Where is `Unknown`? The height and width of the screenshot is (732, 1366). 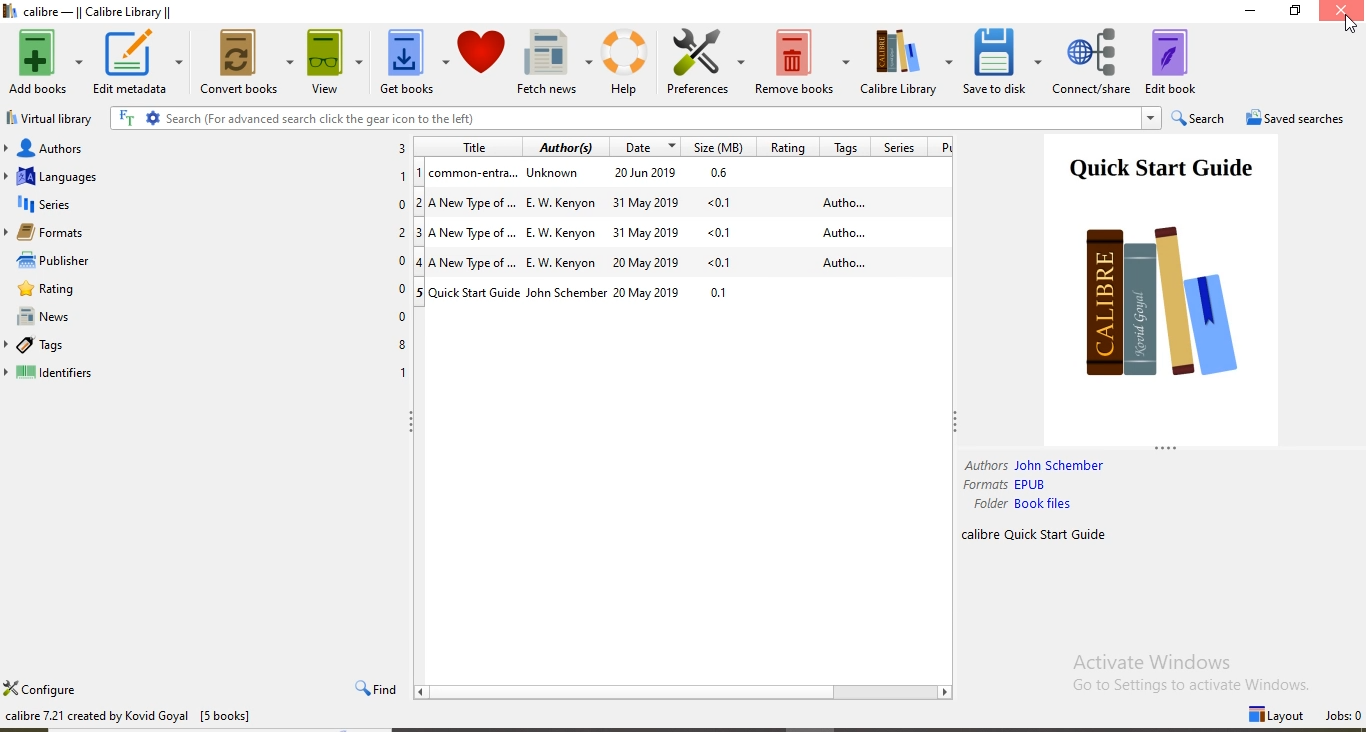
Unknown is located at coordinates (564, 173).